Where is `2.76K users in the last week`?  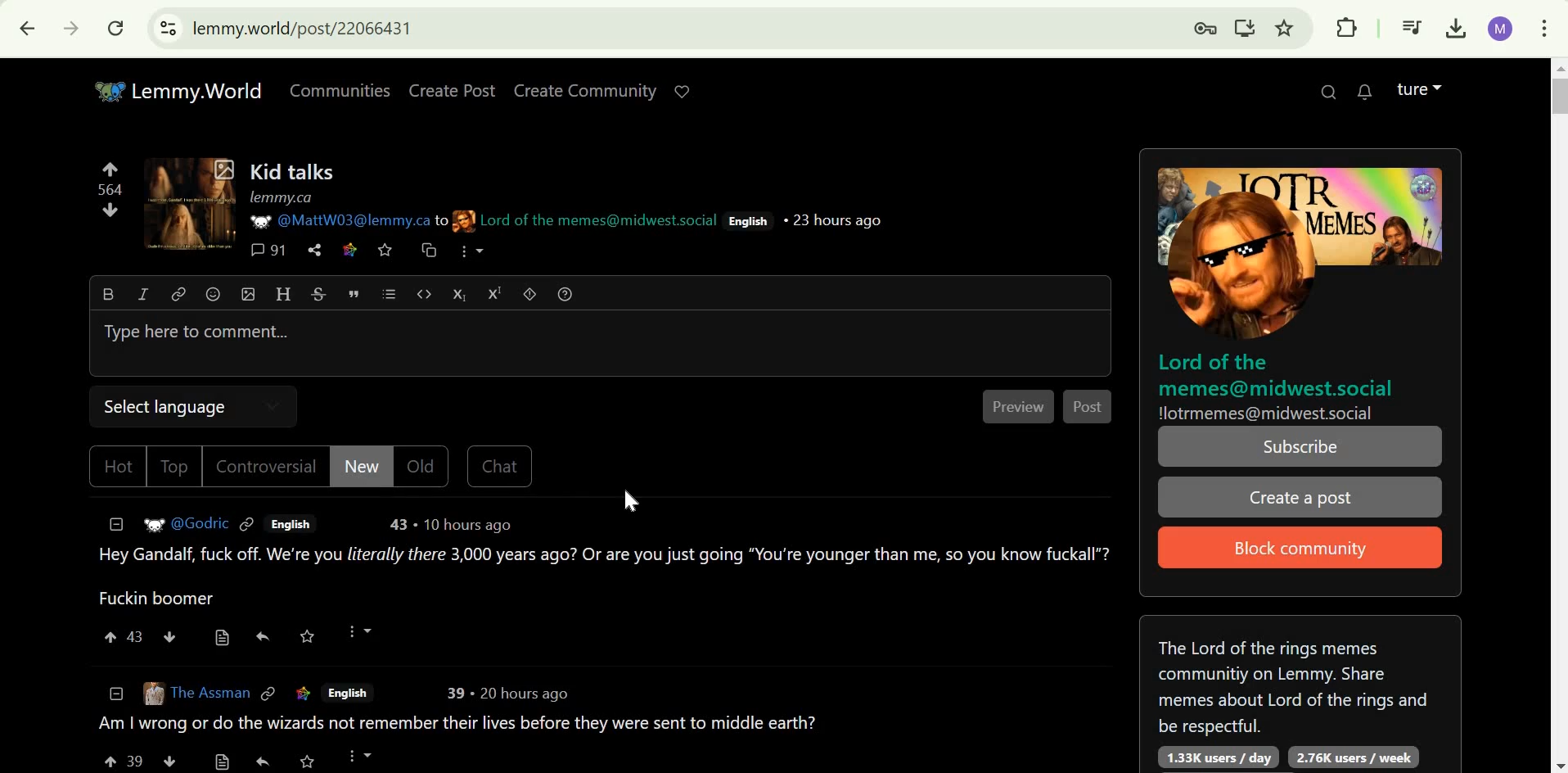
2.76K users in the last week is located at coordinates (1355, 757).